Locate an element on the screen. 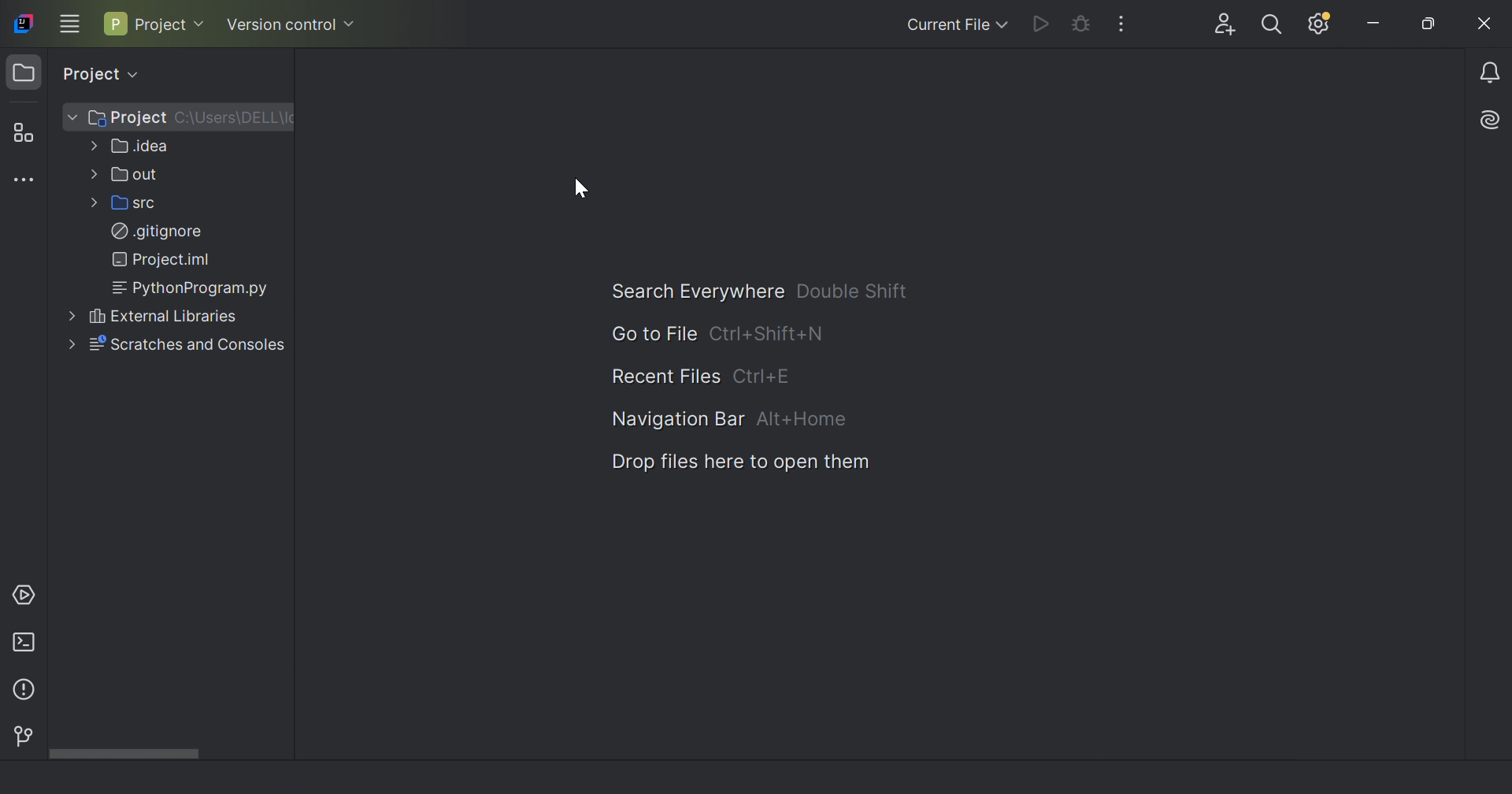  More tool windows is located at coordinates (28, 180).